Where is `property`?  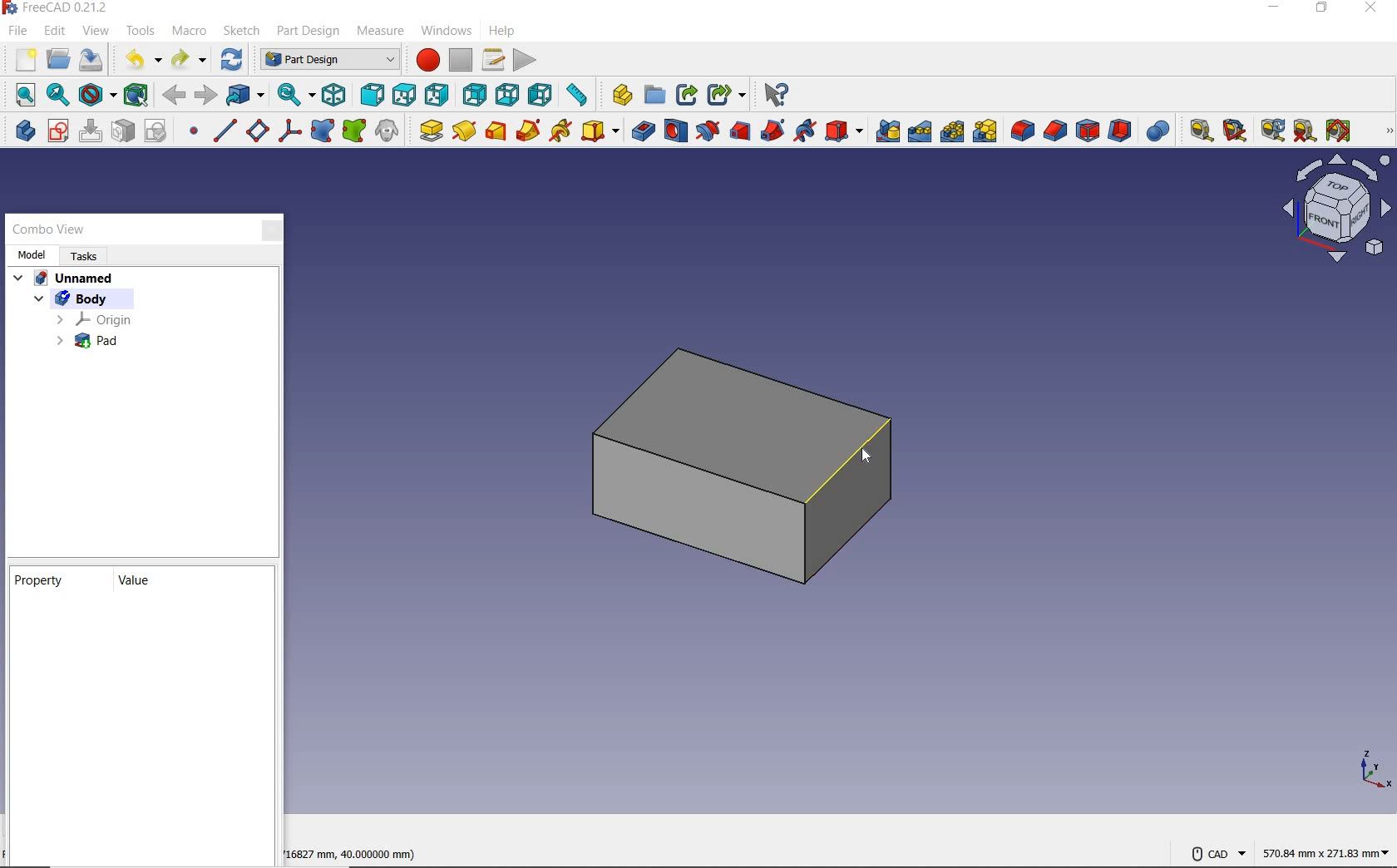 property is located at coordinates (42, 582).